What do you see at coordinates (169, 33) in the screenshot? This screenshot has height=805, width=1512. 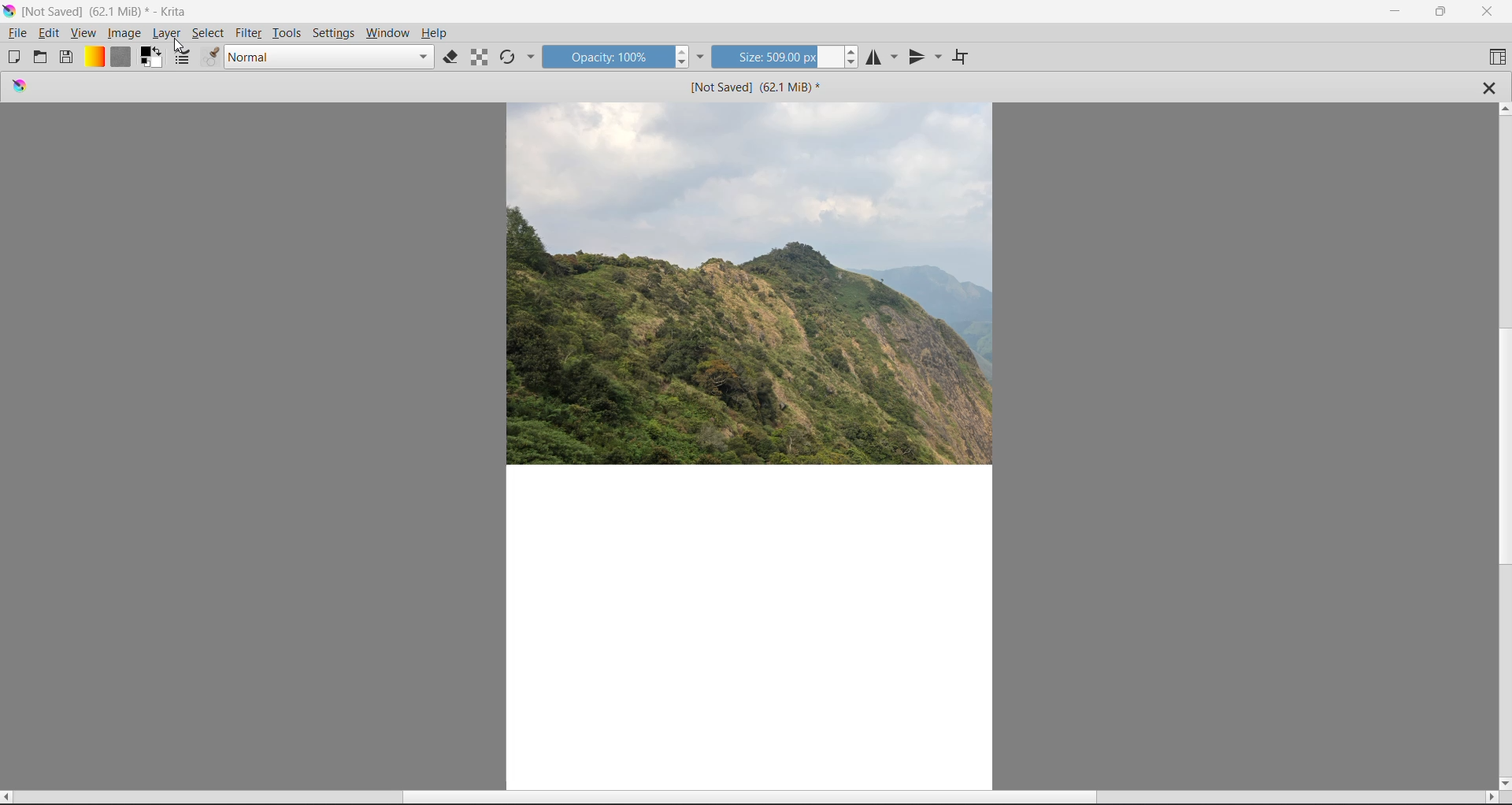 I see `Layer` at bounding box center [169, 33].